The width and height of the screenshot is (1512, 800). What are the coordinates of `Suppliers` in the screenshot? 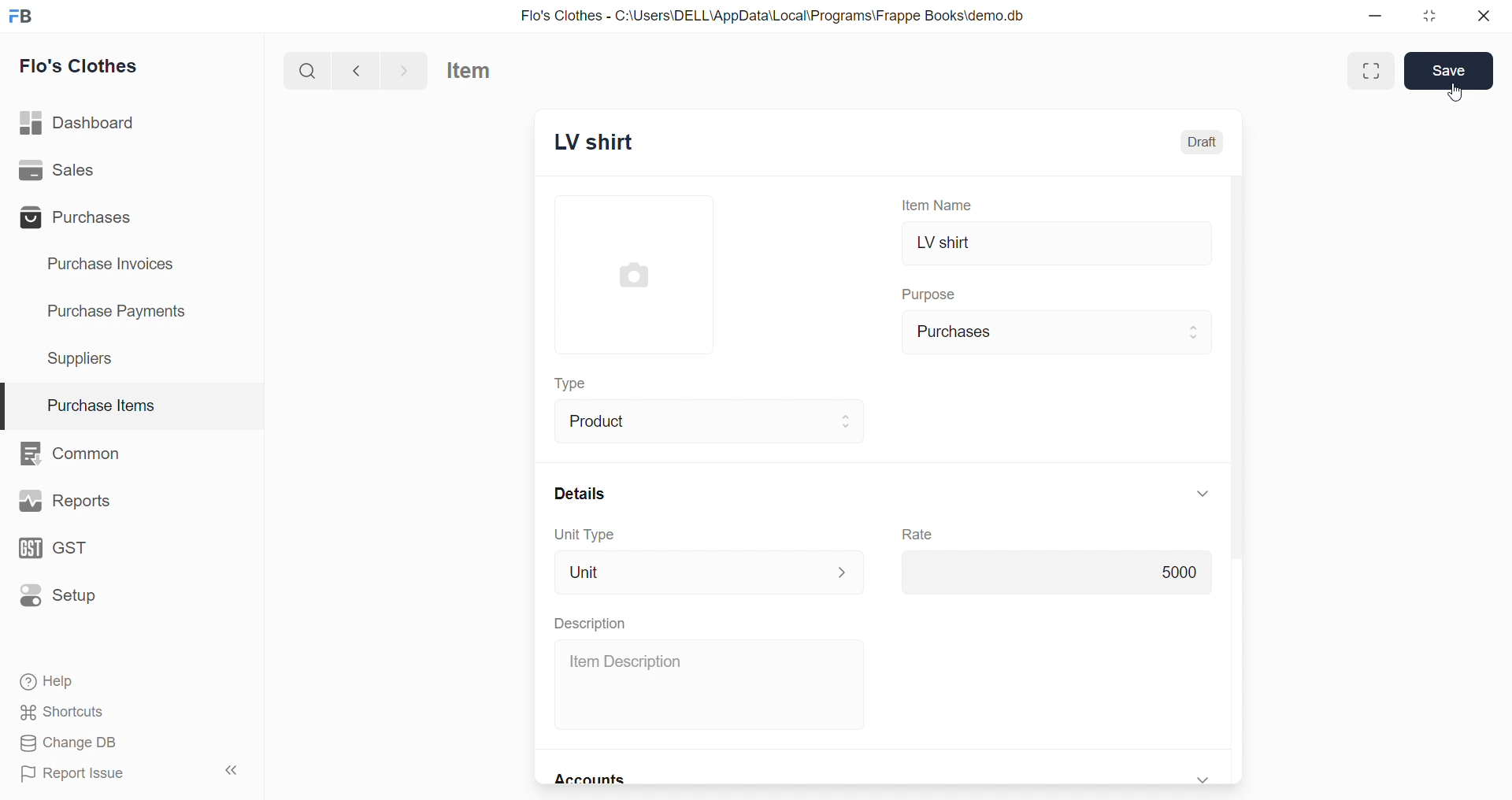 It's located at (87, 357).